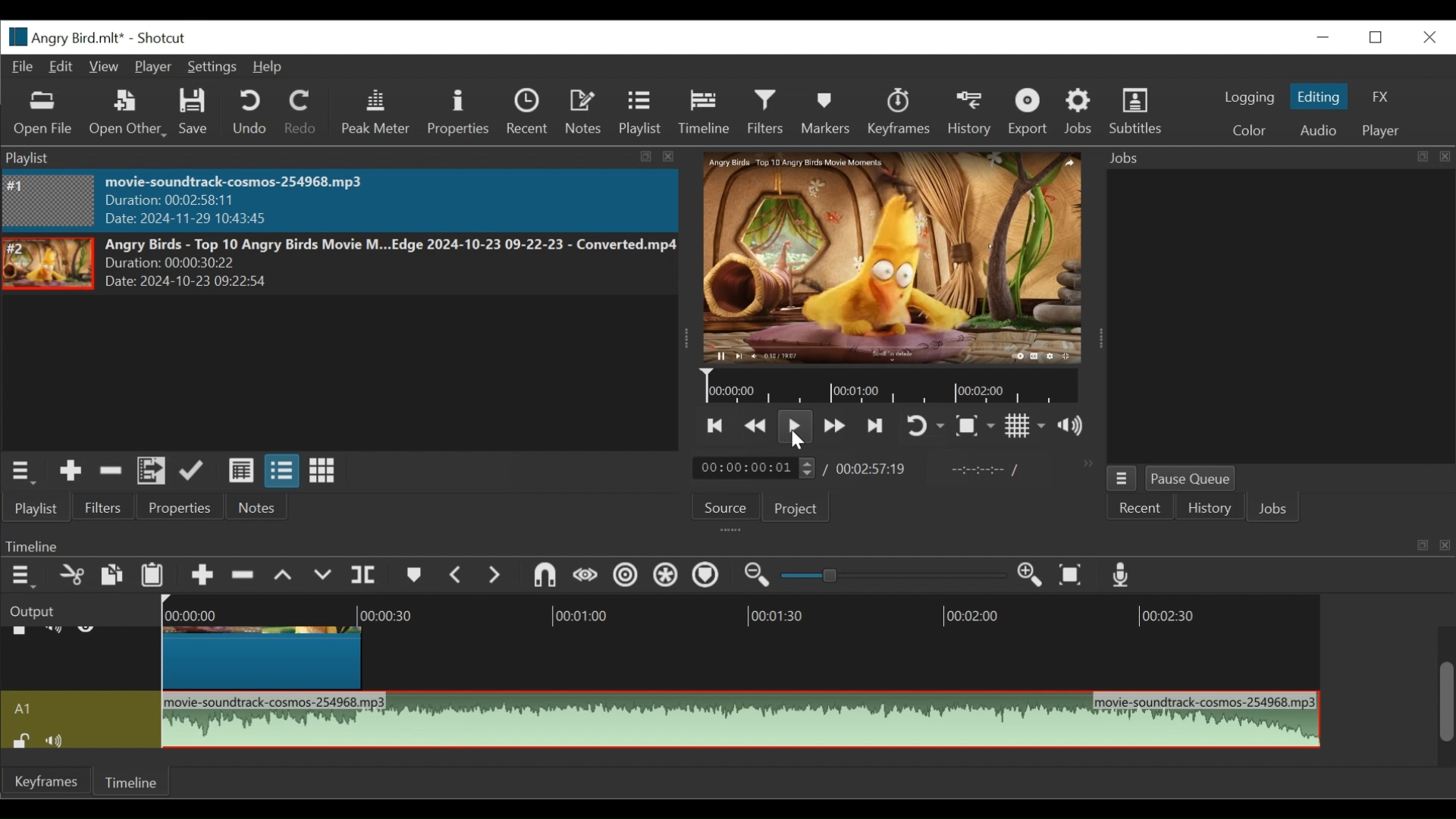  I want to click on Markers, so click(826, 112).